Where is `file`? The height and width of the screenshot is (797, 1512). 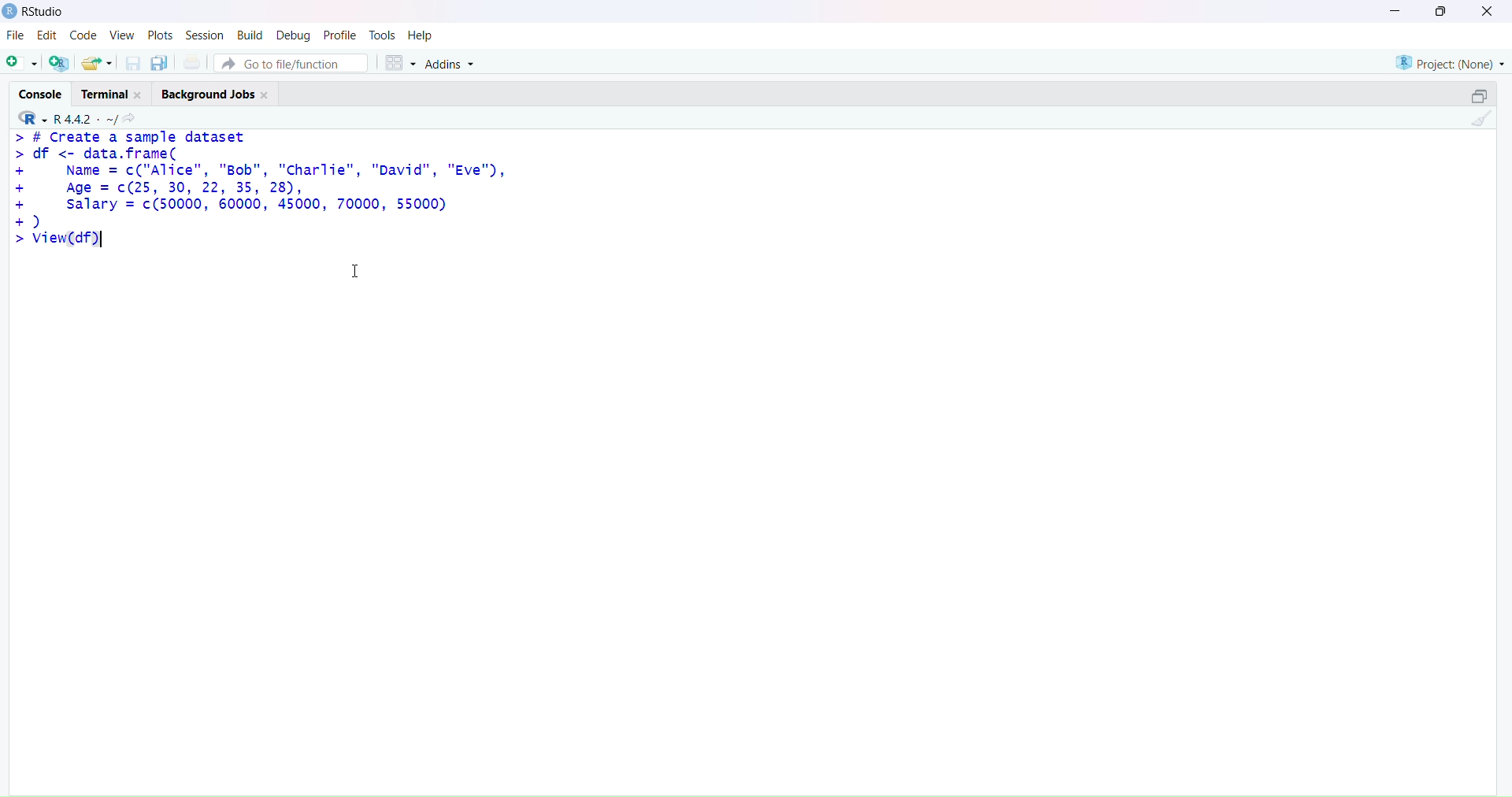
file is located at coordinates (16, 36).